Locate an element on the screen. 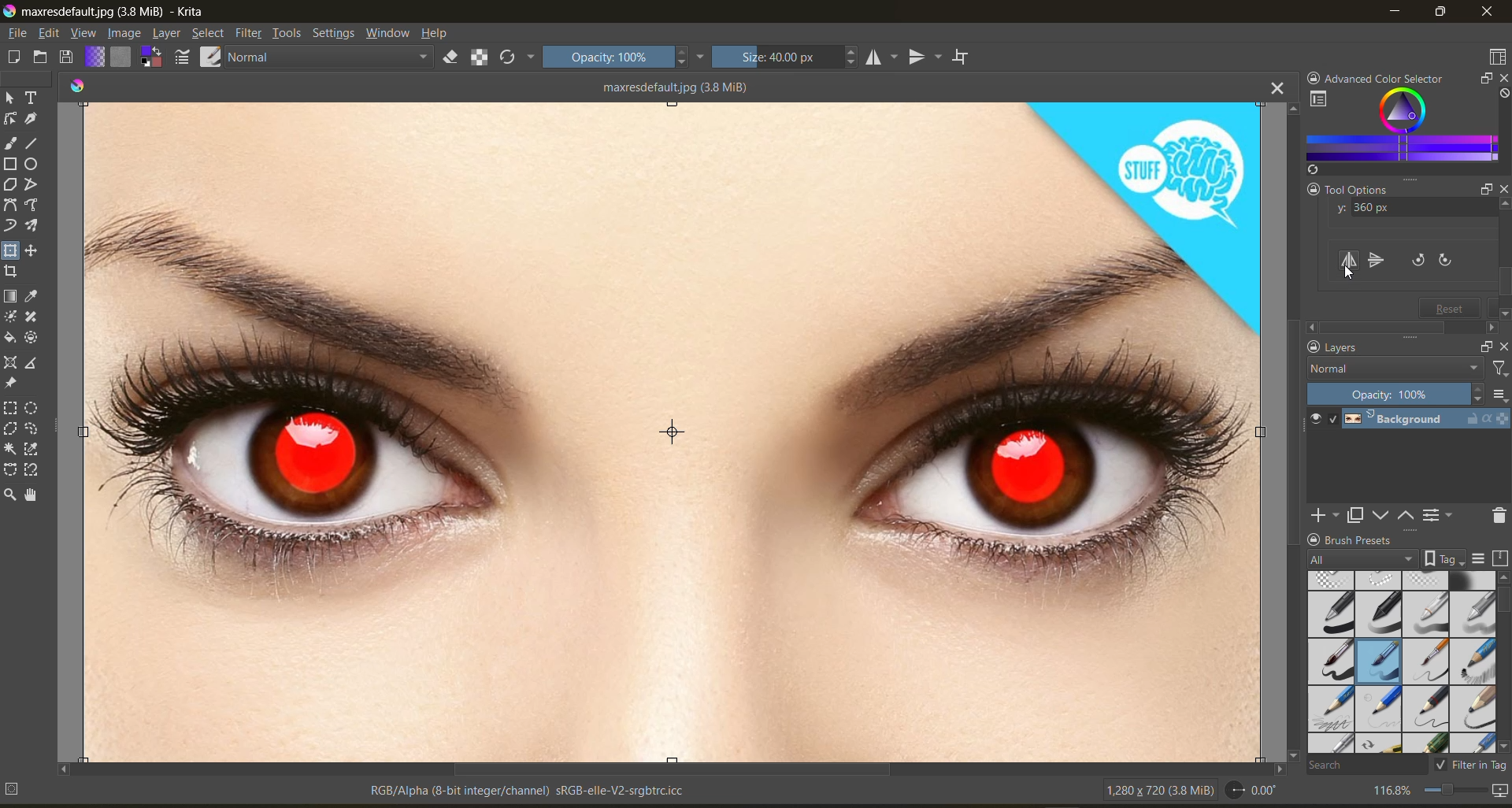  photo is located at coordinates (675, 428).